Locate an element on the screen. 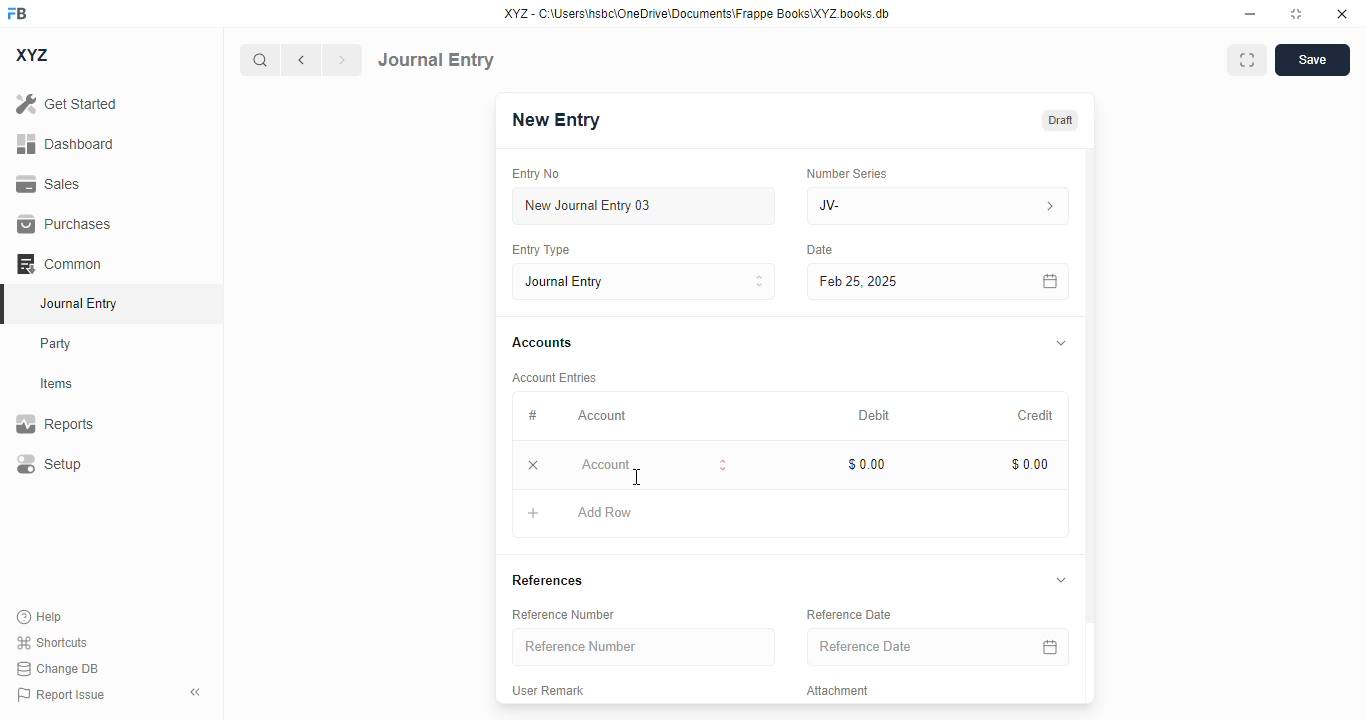  party is located at coordinates (56, 344).